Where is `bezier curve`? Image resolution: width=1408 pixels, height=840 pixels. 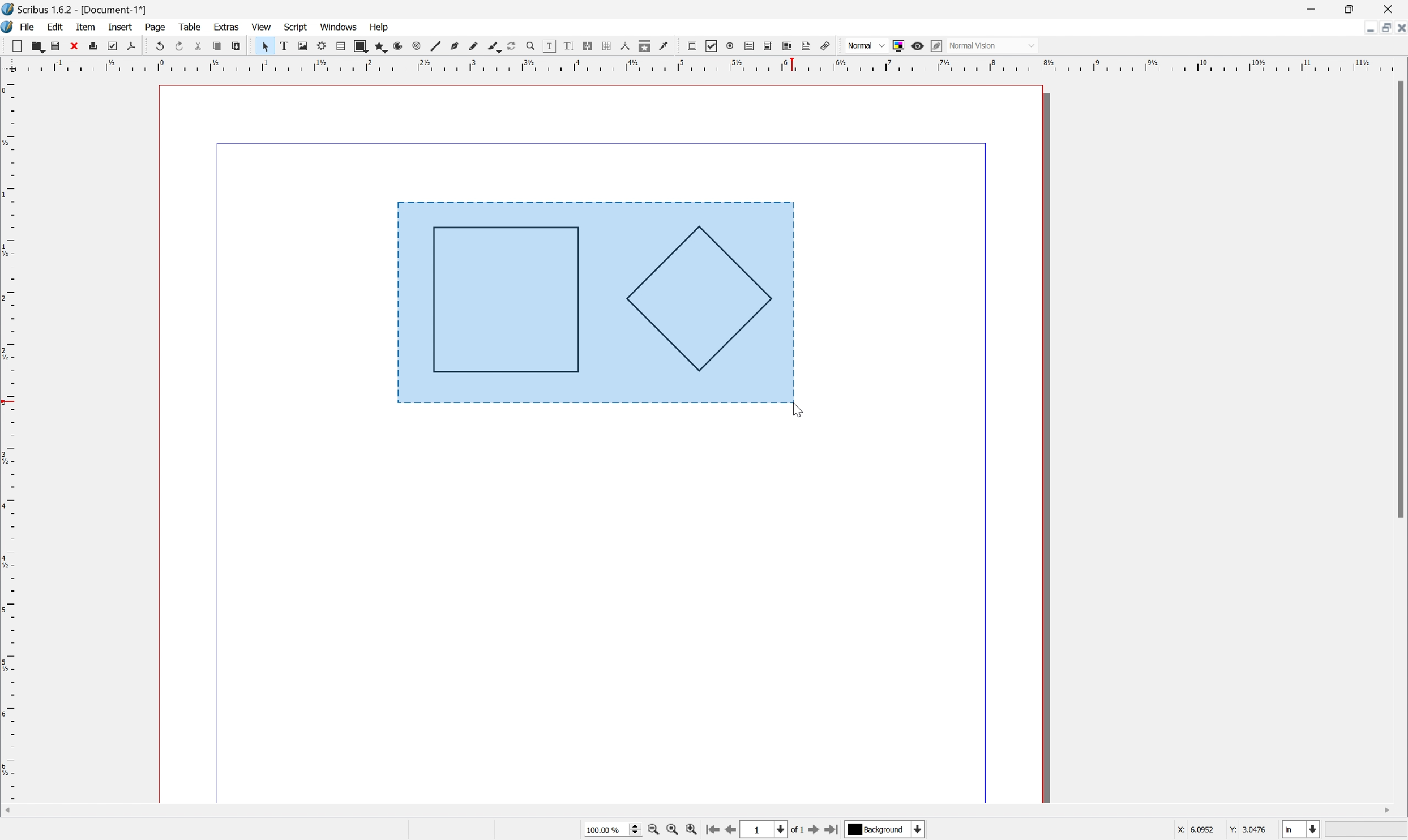
bezier curve is located at coordinates (452, 47).